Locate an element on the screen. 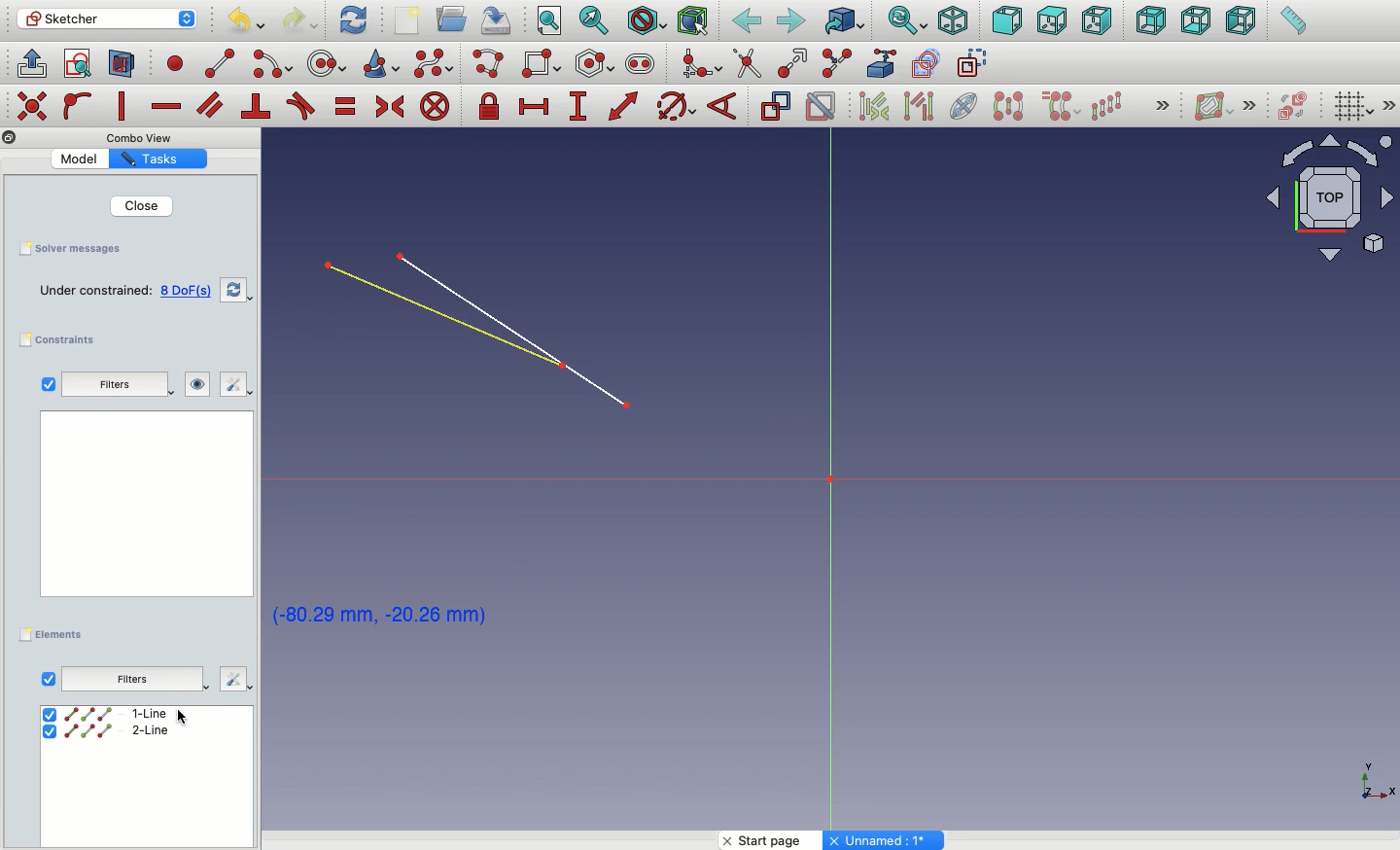 The height and width of the screenshot is (850, 1400).  is located at coordinates (1159, 104).